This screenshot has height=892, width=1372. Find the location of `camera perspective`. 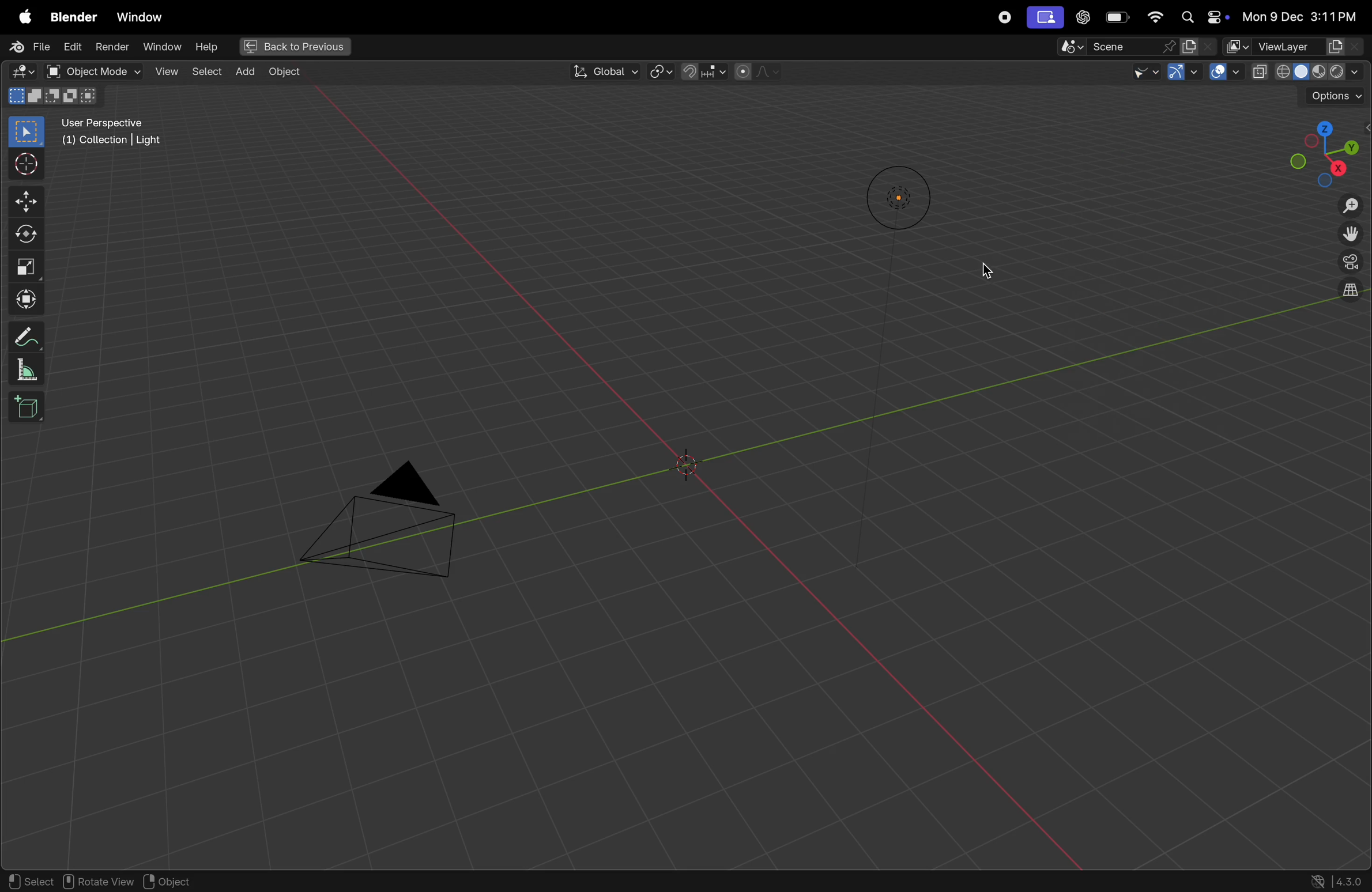

camera perspective is located at coordinates (1349, 263).